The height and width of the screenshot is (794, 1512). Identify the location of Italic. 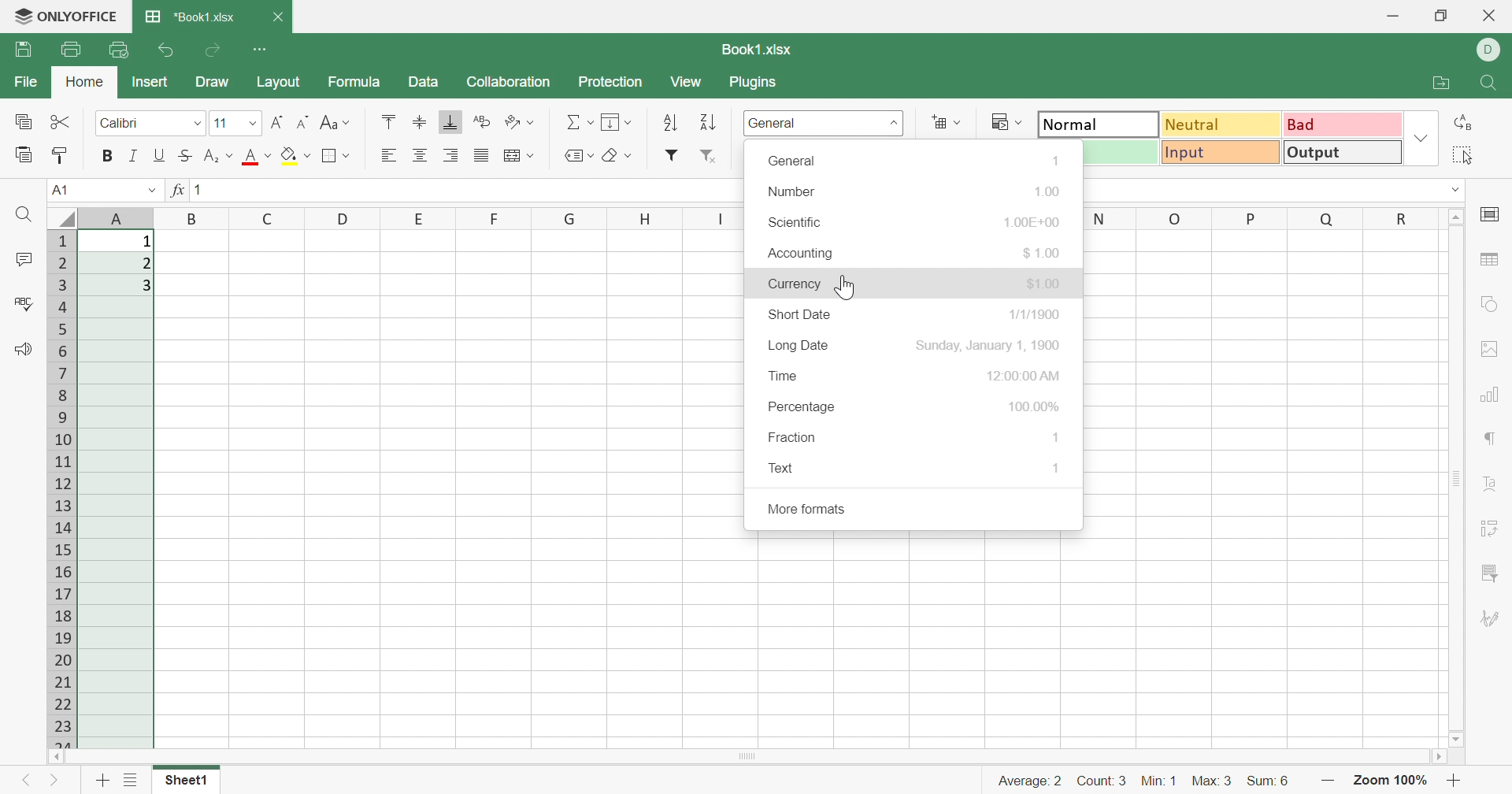
(132, 156).